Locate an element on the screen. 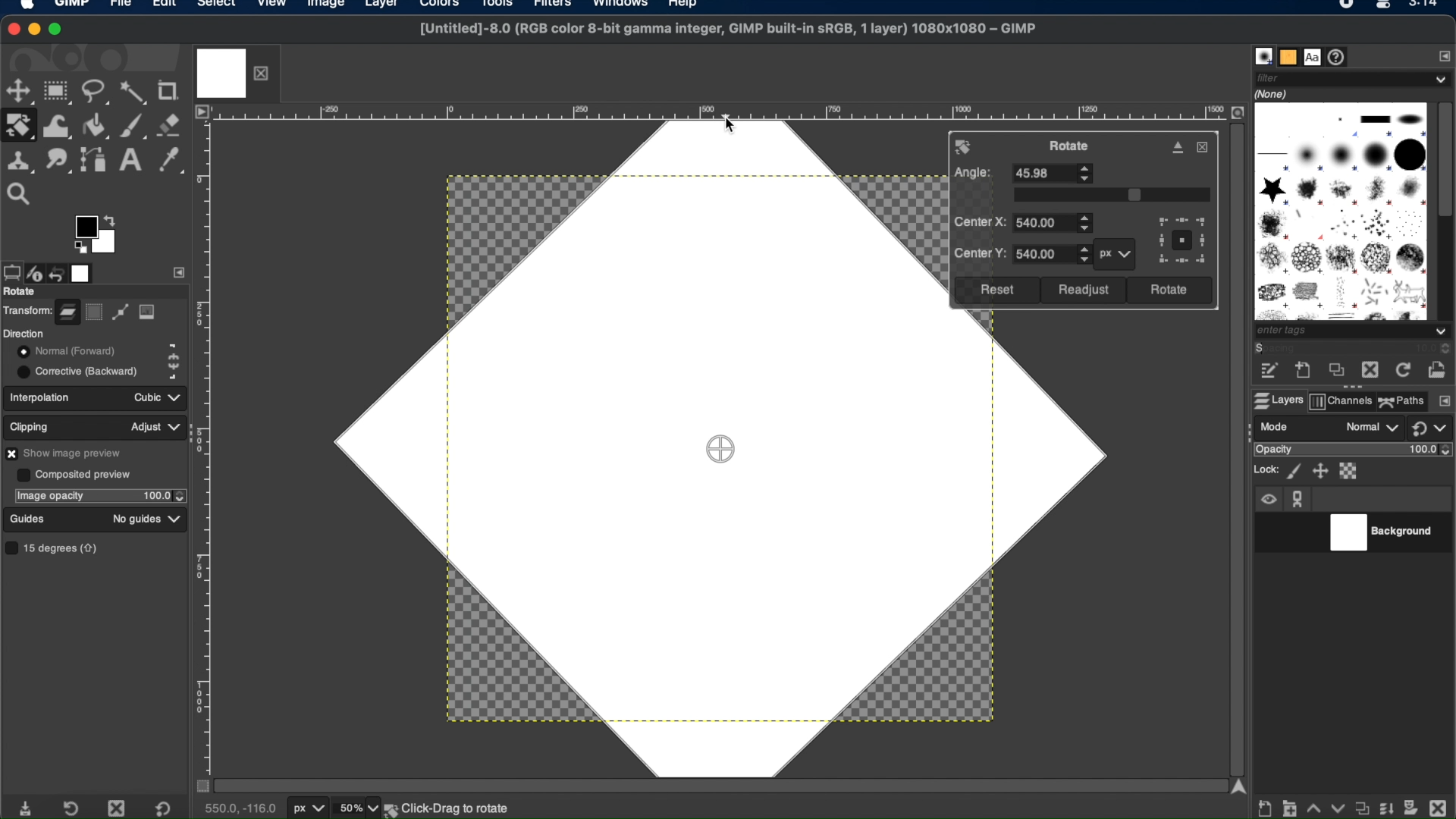  move tool is located at coordinates (19, 91).